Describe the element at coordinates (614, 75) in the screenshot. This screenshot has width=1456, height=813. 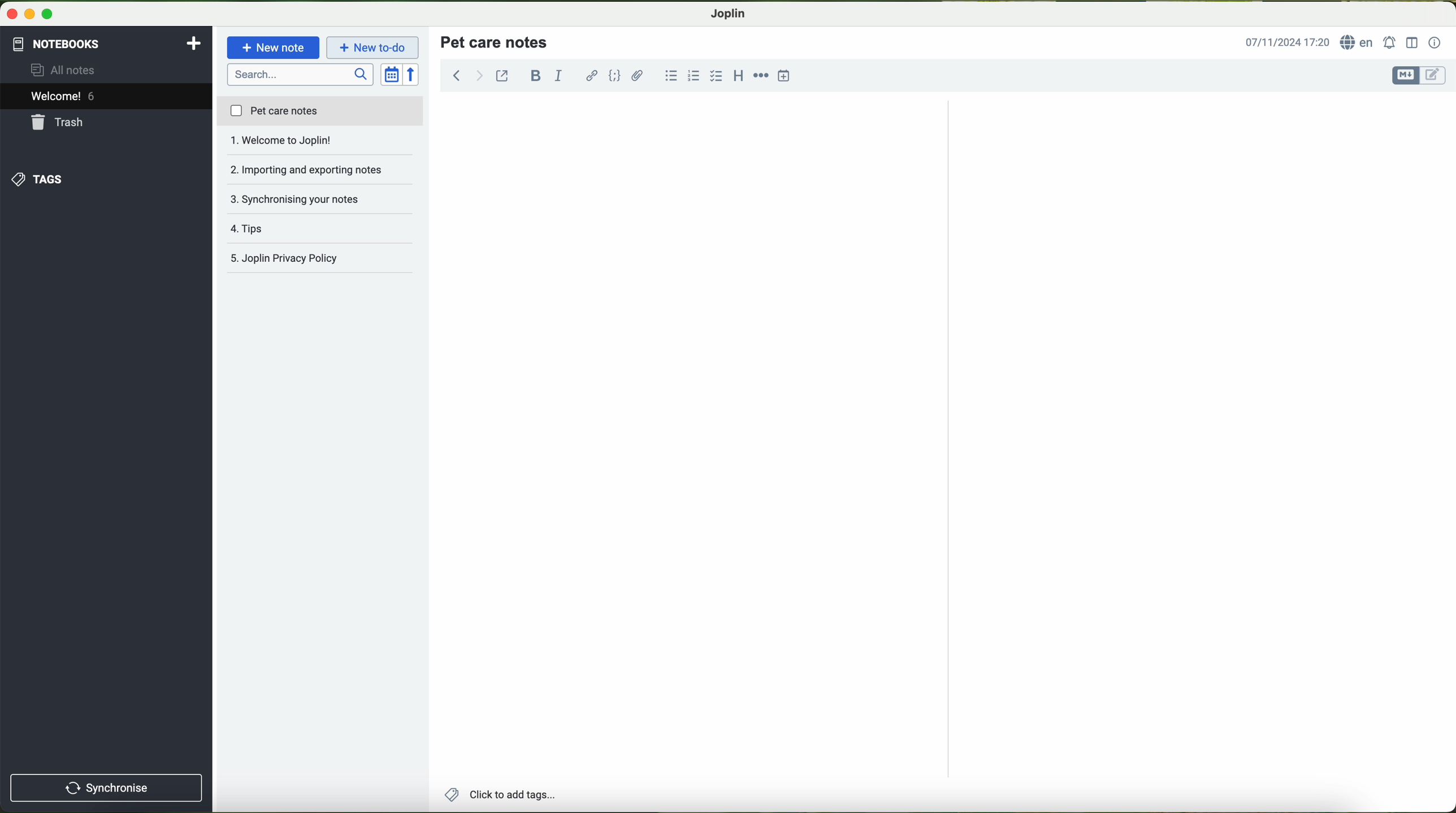
I see `code` at that location.